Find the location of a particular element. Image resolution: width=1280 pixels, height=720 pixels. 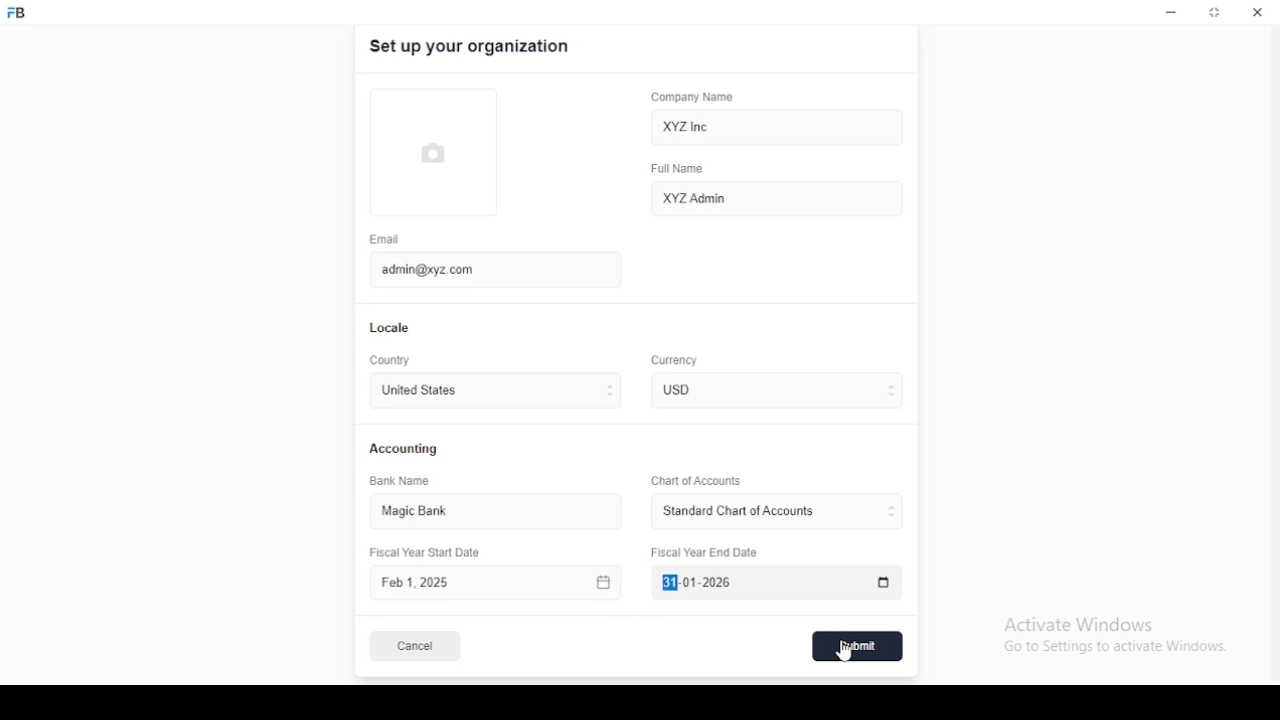

logo tumbnail is located at coordinates (448, 153).